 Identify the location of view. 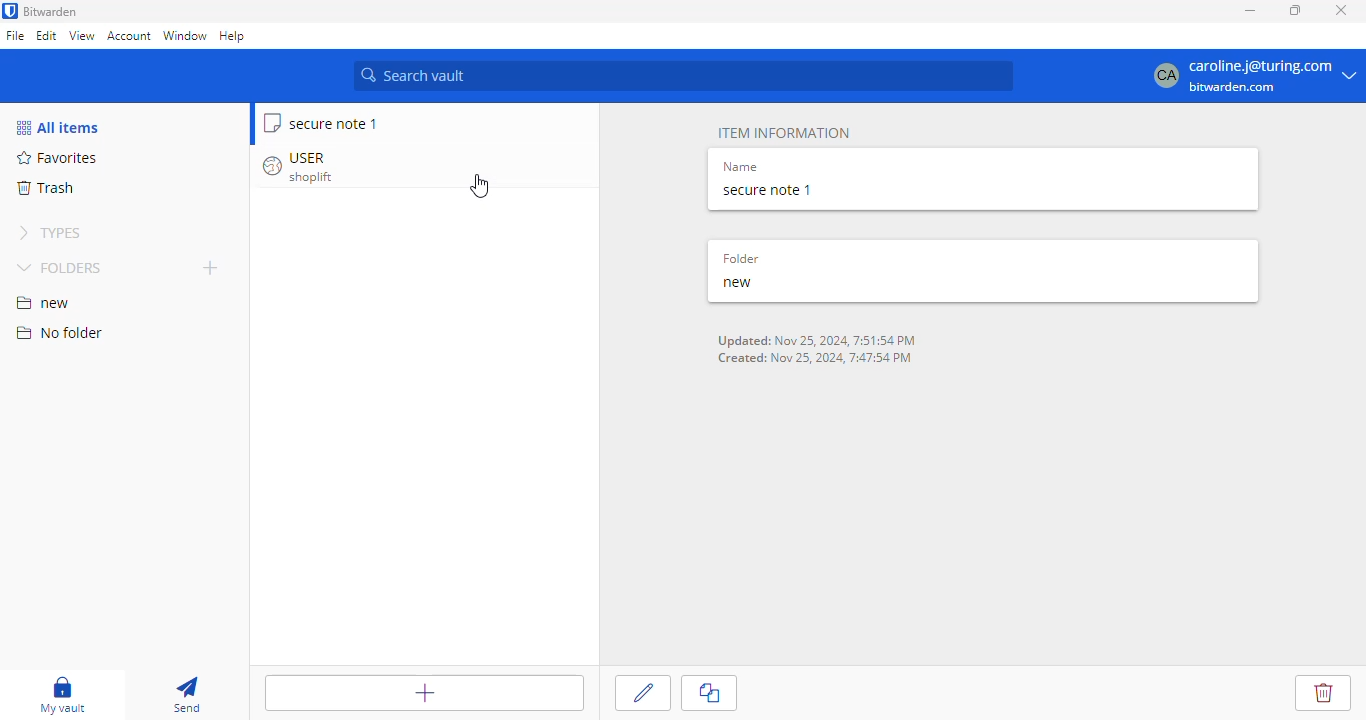
(82, 37).